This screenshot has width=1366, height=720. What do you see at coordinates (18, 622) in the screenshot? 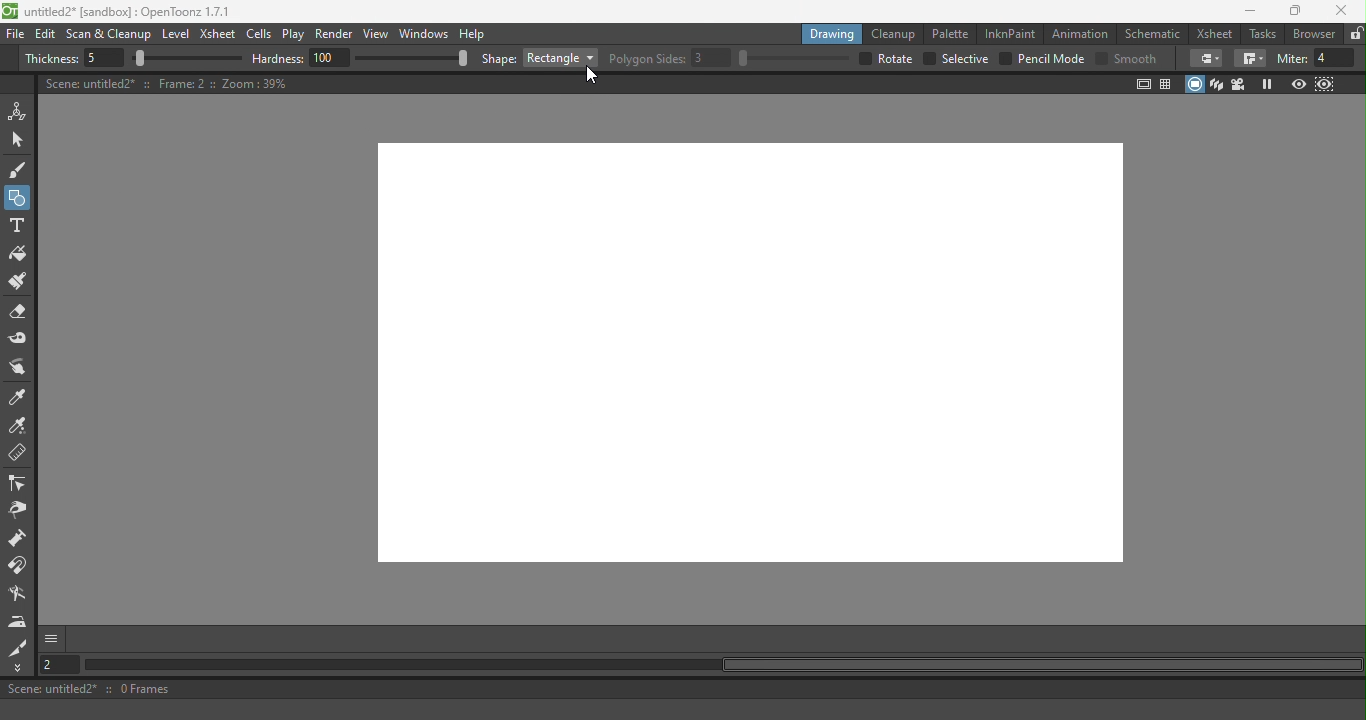
I see `Iron tool` at bounding box center [18, 622].